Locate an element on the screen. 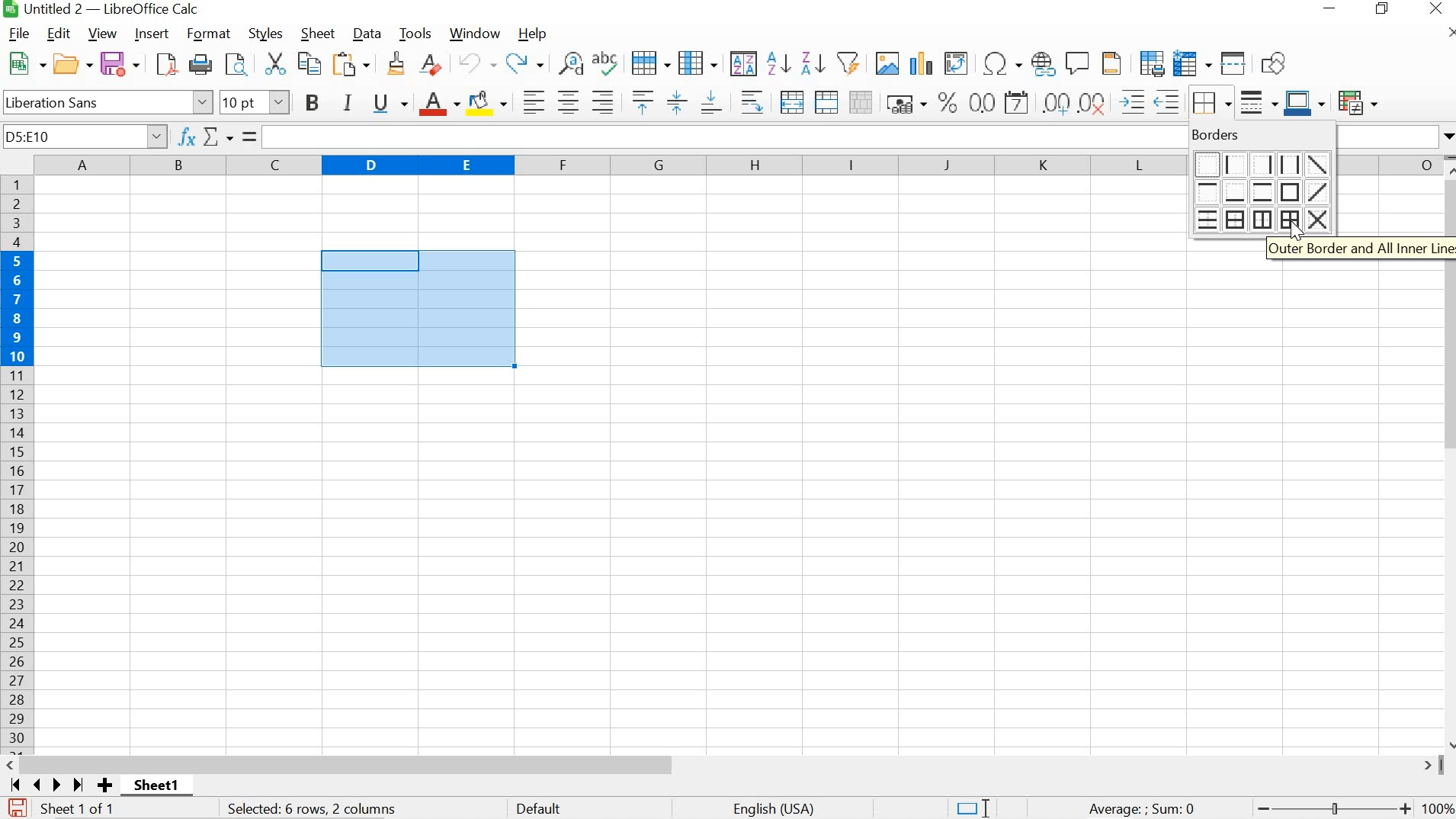 Image resolution: width=1456 pixels, height=819 pixels. COLUMN is located at coordinates (698, 63).